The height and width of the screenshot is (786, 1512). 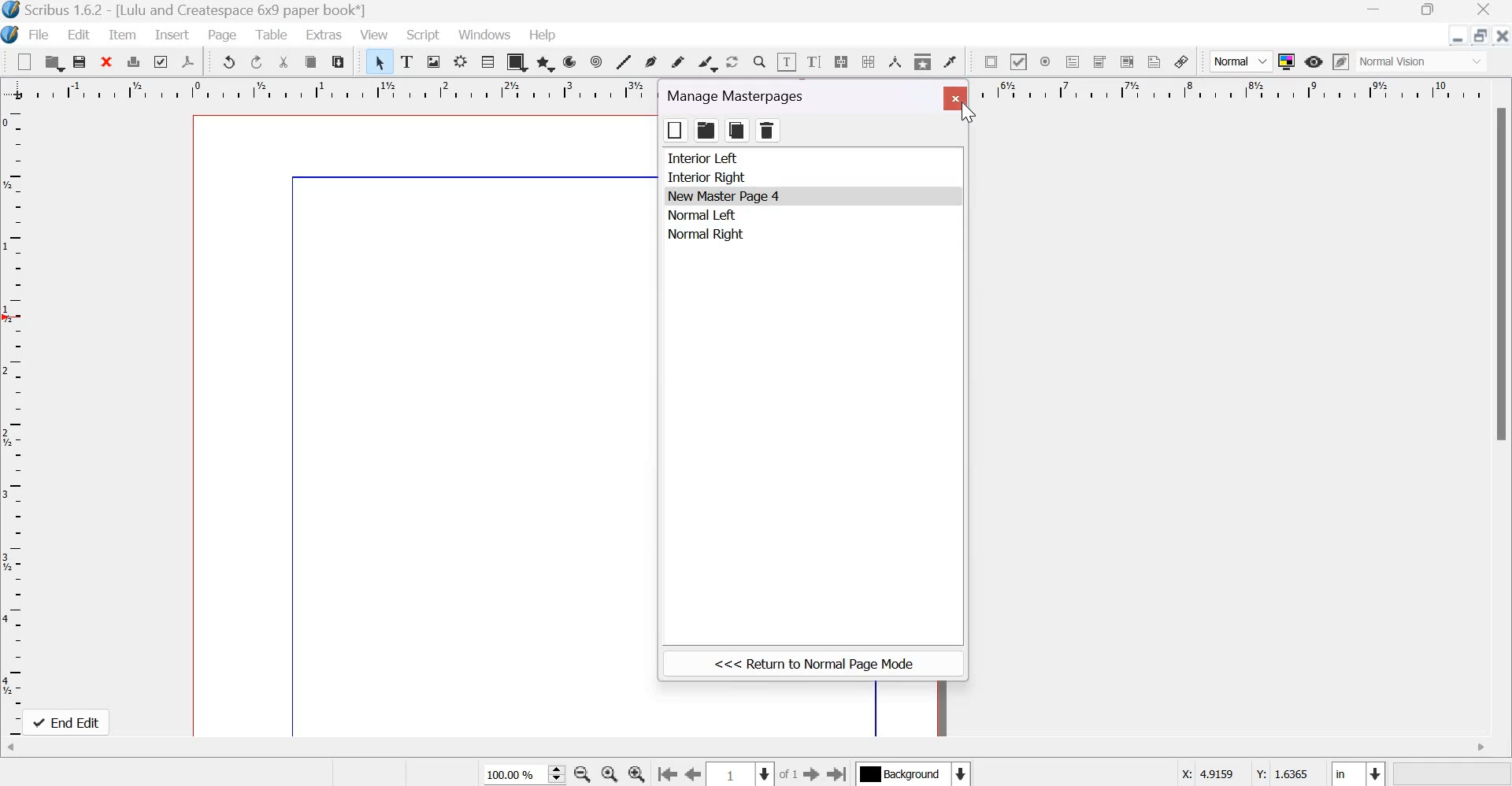 I want to click on copy, so click(x=312, y=62).